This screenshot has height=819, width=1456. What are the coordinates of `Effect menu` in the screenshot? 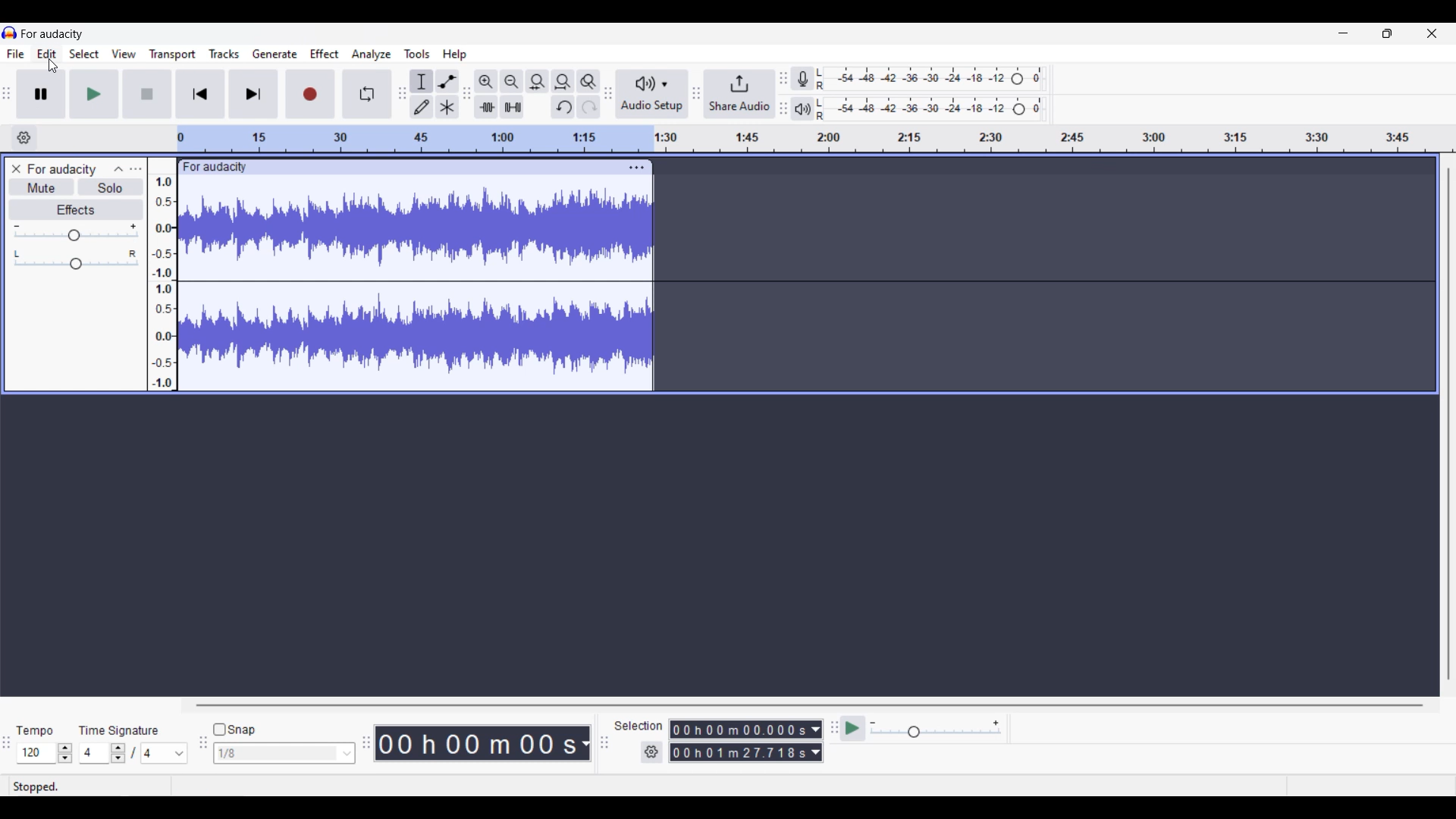 It's located at (325, 53).